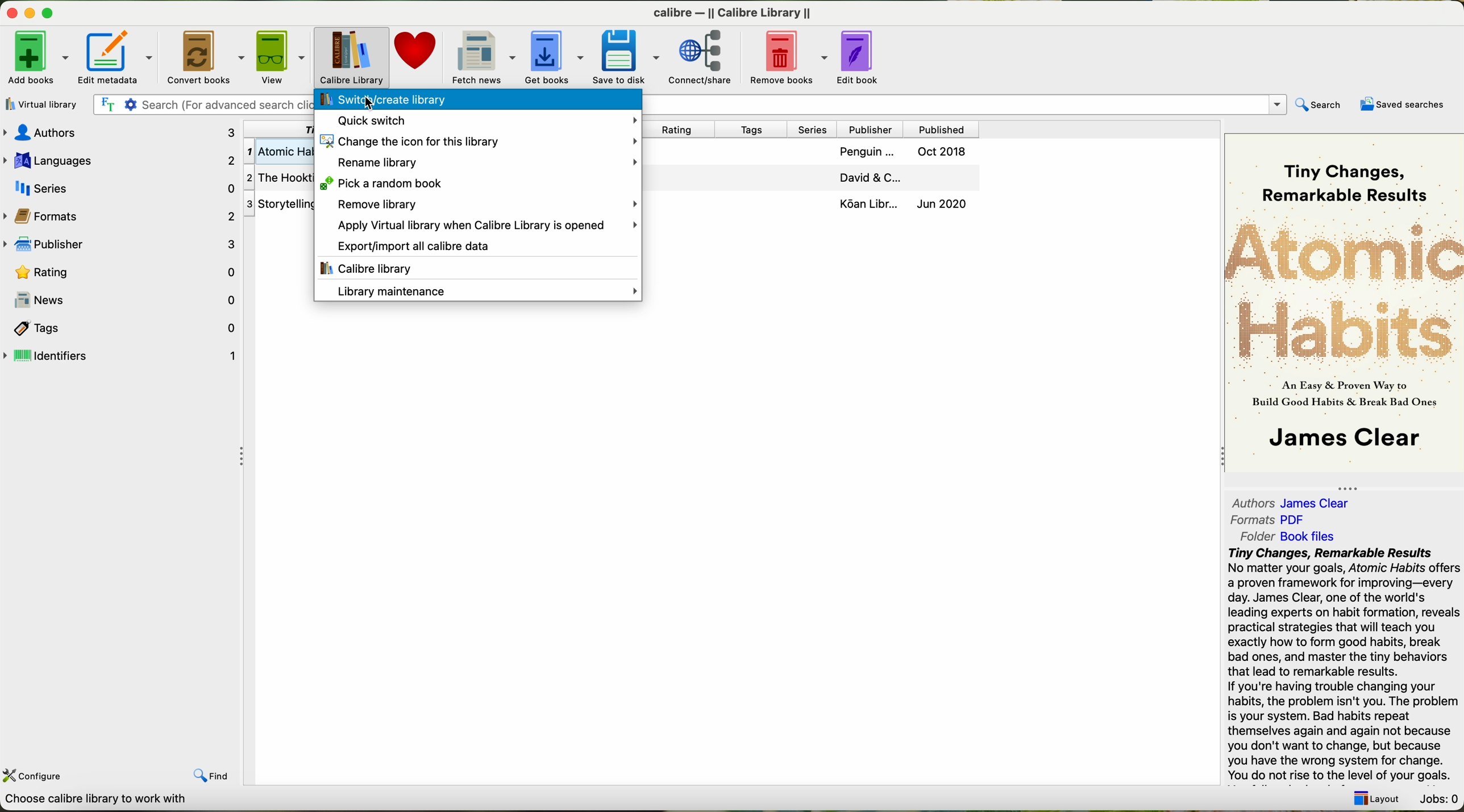 This screenshot has width=1464, height=812. What do you see at coordinates (902, 206) in the screenshot?
I see `Koan Libr... Jun 2020` at bounding box center [902, 206].